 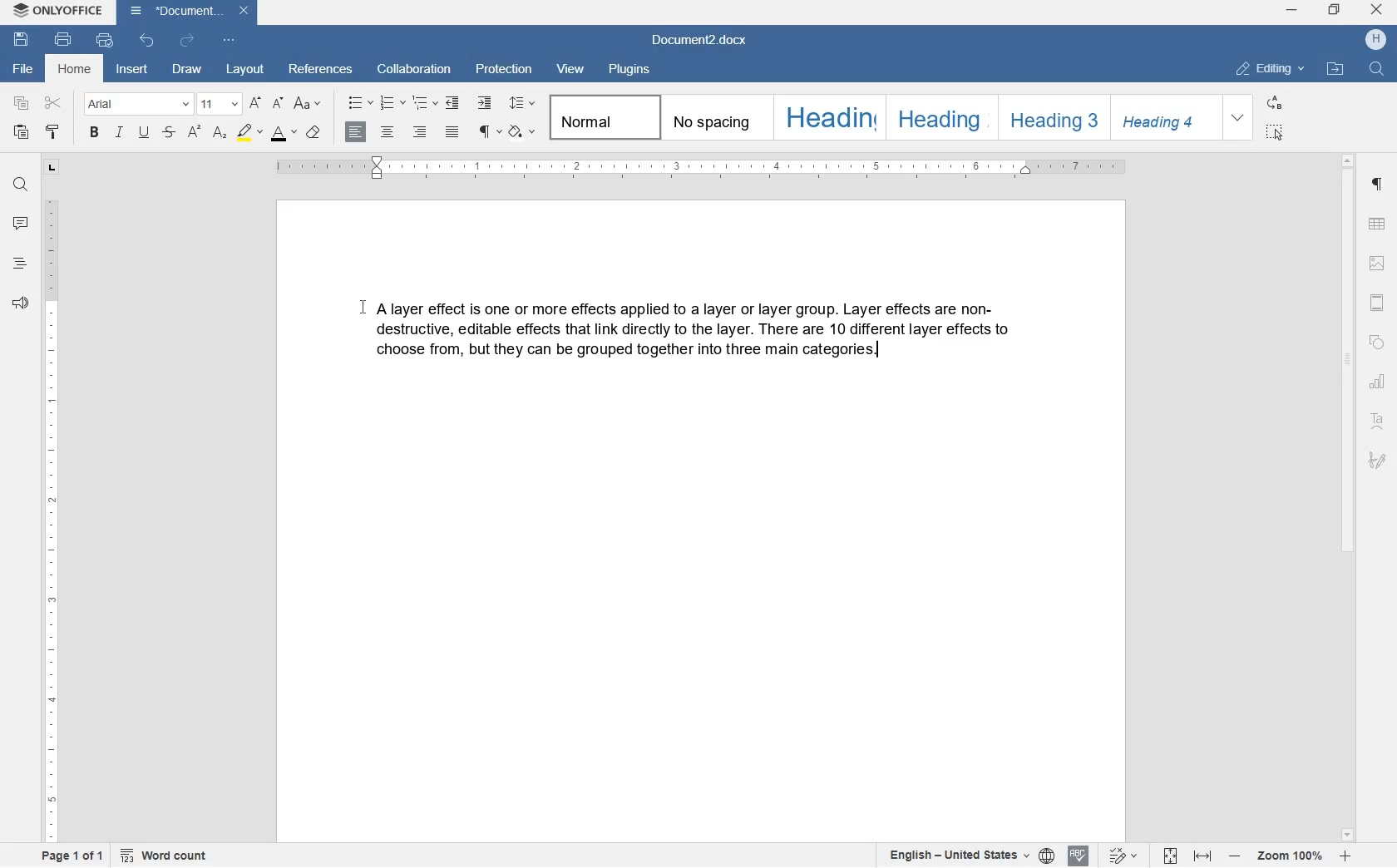 I want to click on collaboration, so click(x=415, y=71).